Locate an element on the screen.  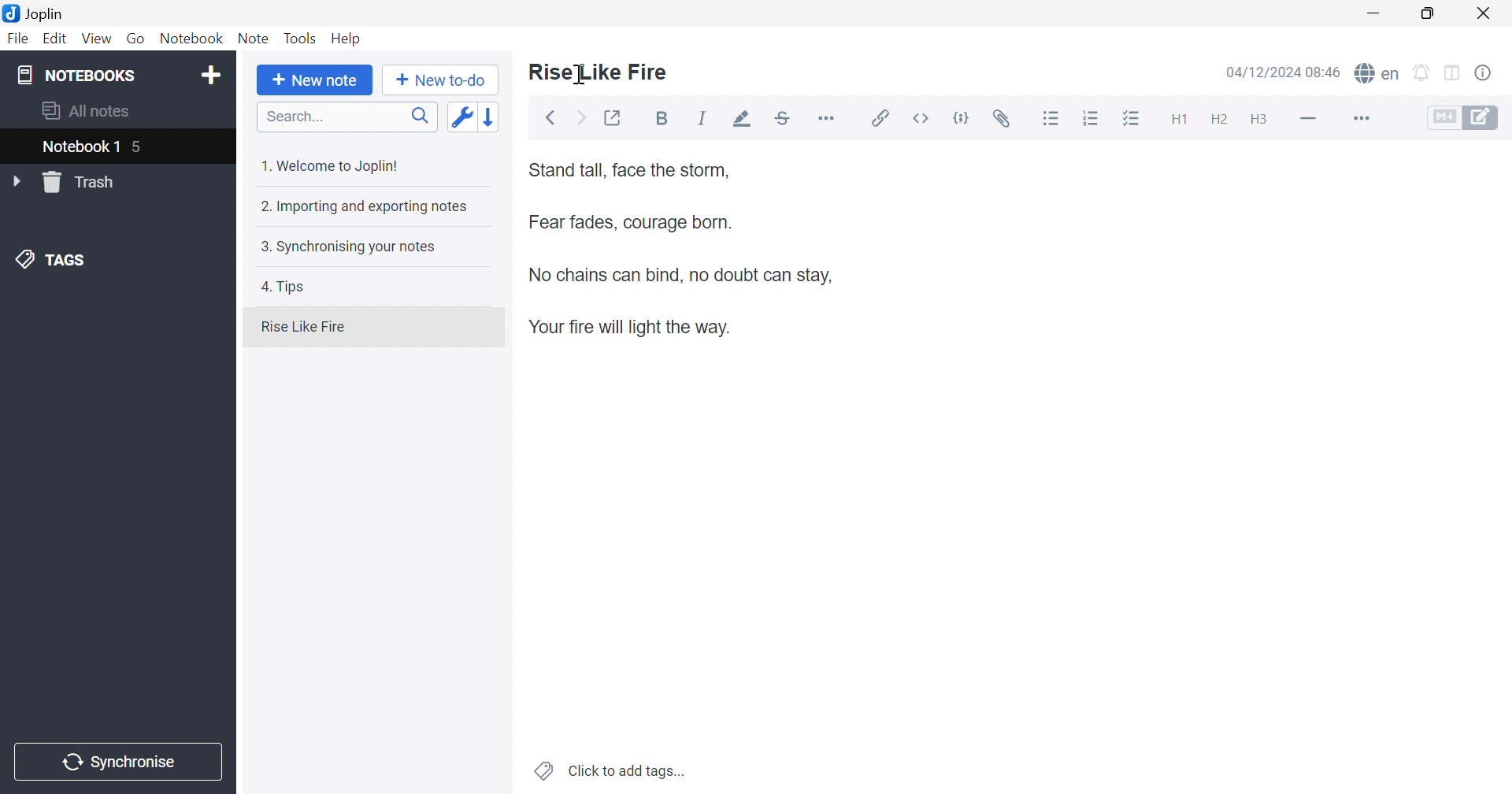
Go is located at coordinates (138, 39).